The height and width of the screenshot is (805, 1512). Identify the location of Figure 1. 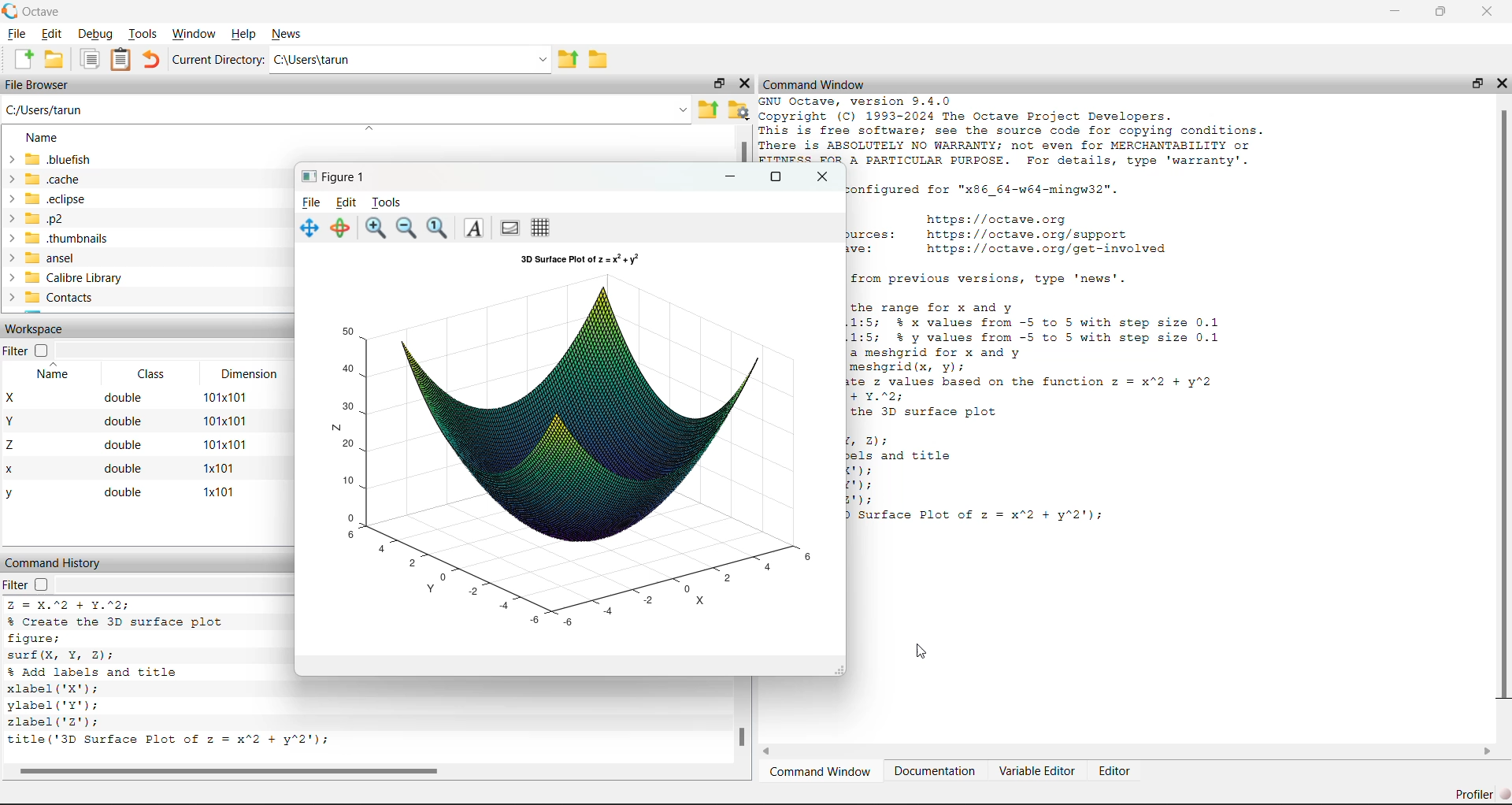
(335, 176).